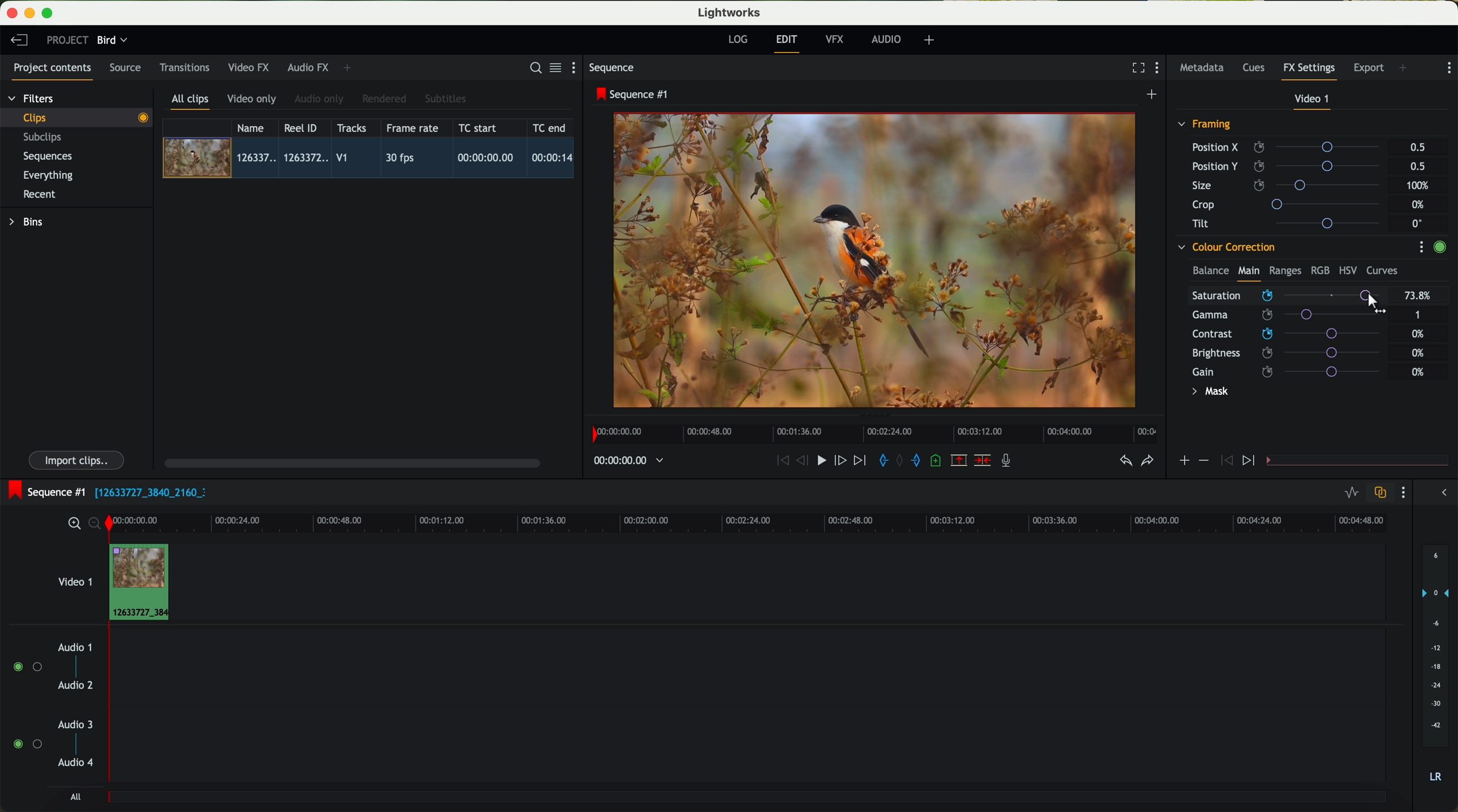 This screenshot has width=1458, height=812. Describe the element at coordinates (49, 175) in the screenshot. I see `everything` at that location.